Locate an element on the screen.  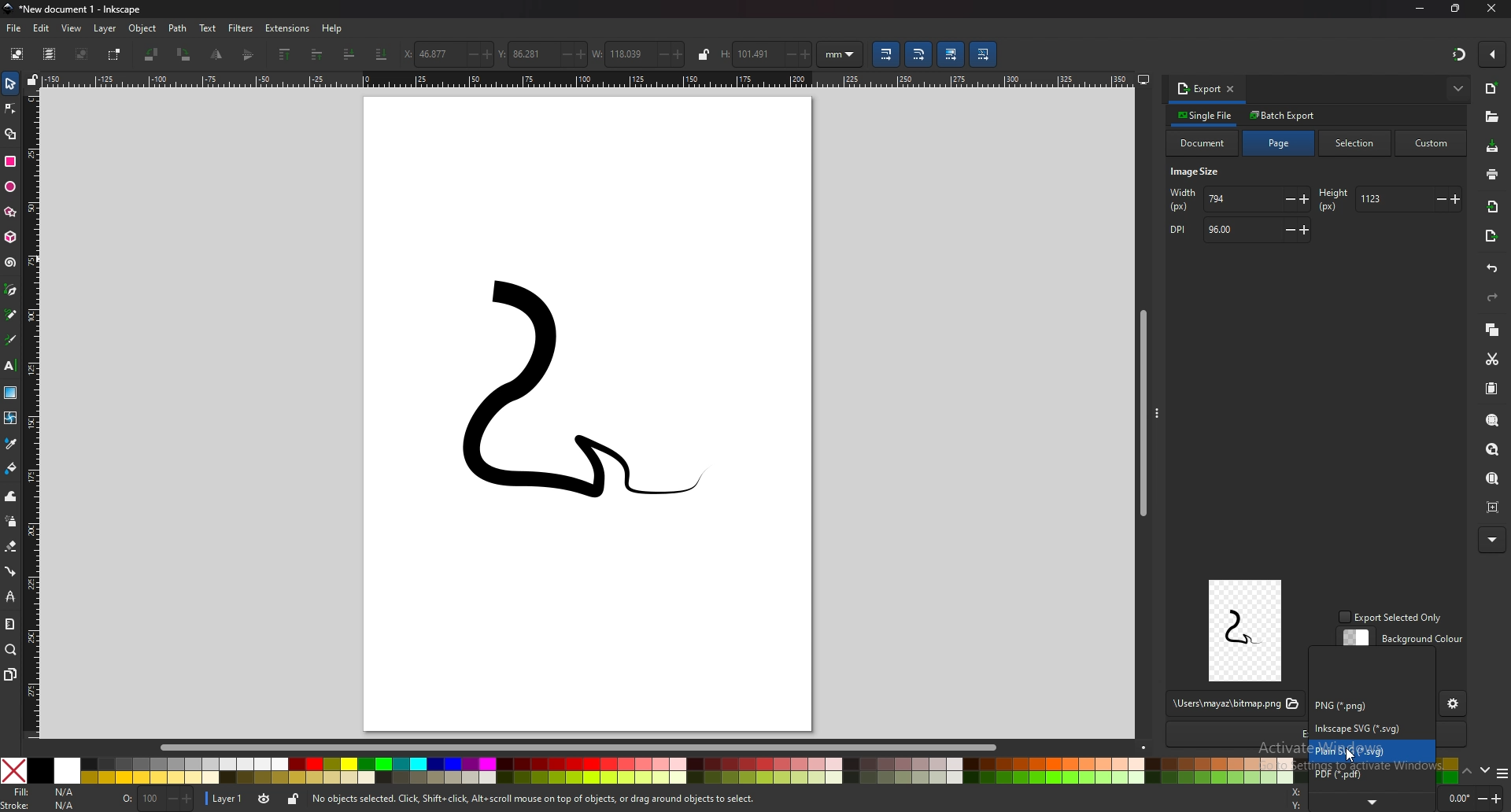
import is located at coordinates (1494, 207).